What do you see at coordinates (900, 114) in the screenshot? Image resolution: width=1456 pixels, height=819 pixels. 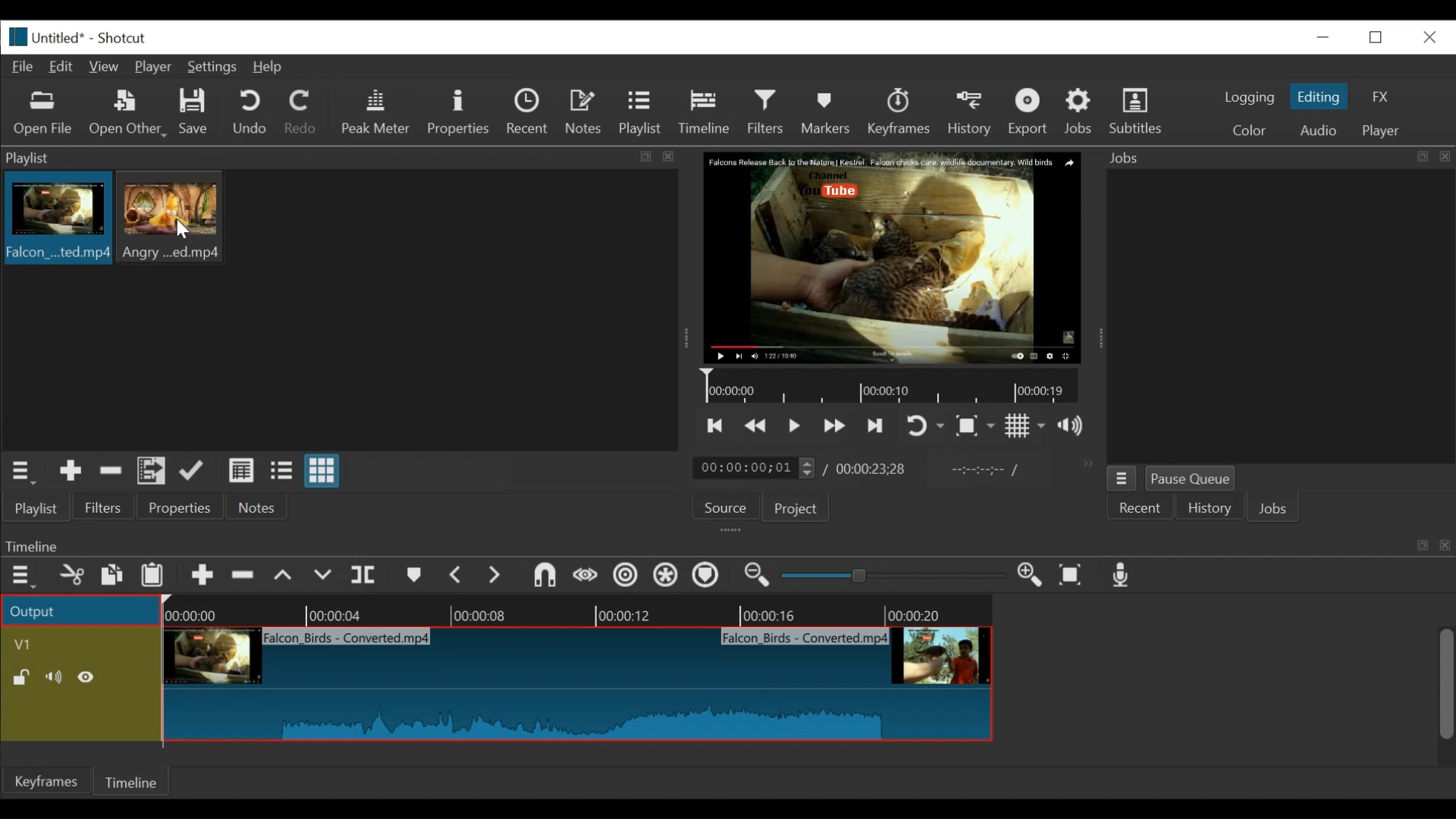 I see `keyframes` at bounding box center [900, 114].